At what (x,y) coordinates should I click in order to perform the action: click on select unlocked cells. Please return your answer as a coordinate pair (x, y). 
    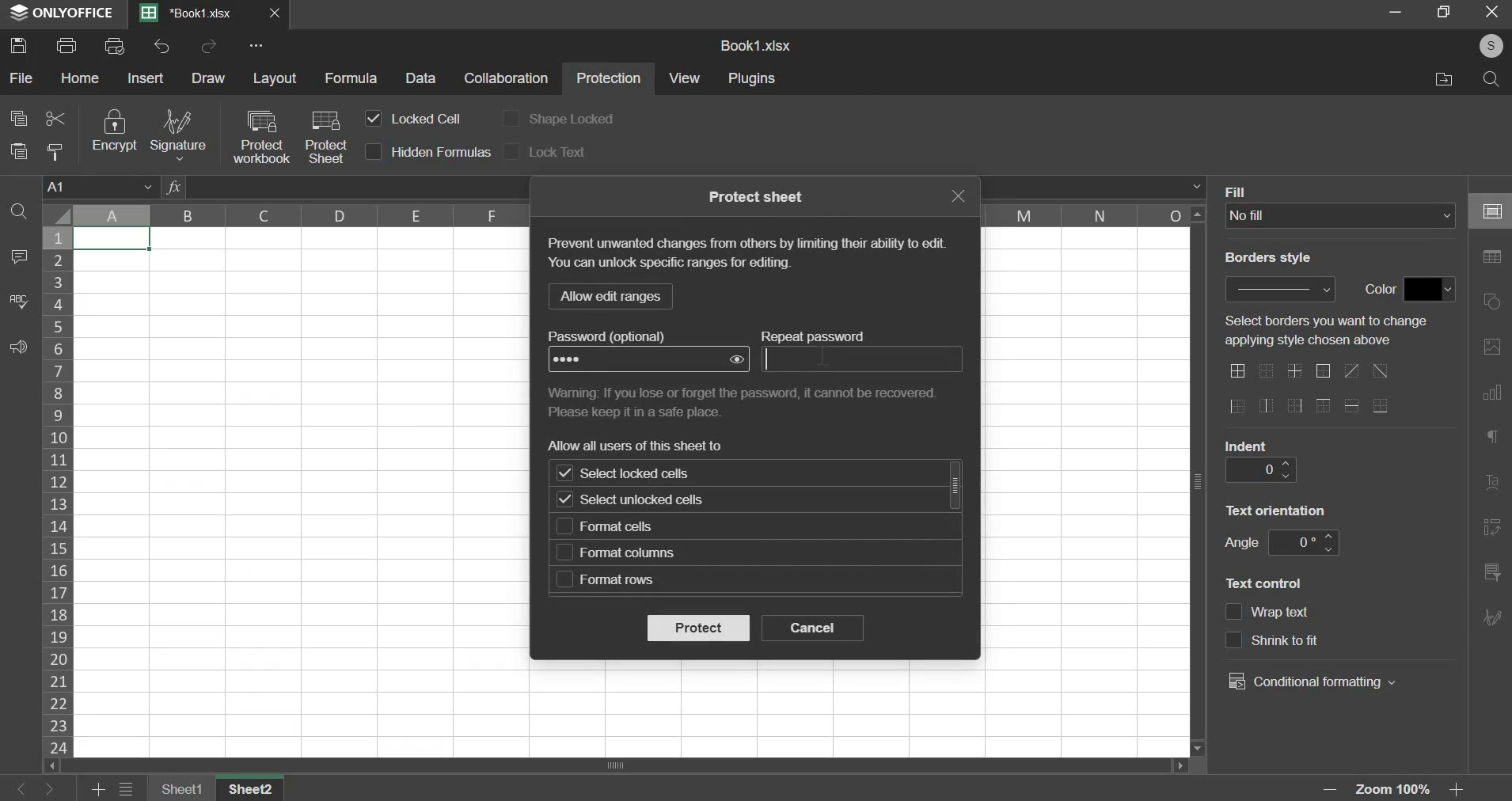
    Looking at the image, I should click on (649, 502).